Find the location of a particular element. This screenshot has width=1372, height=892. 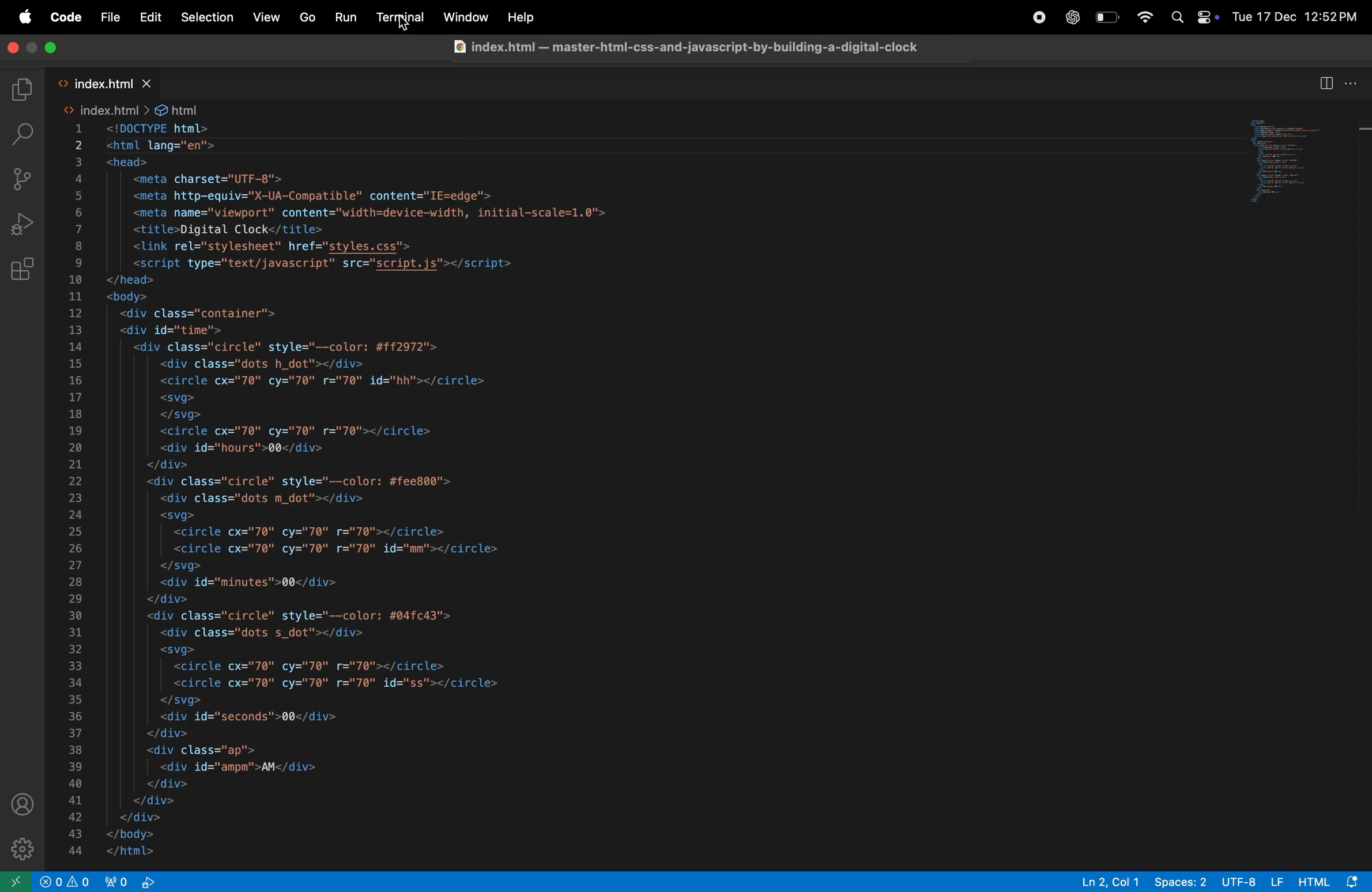

code window is located at coordinates (1294, 164).